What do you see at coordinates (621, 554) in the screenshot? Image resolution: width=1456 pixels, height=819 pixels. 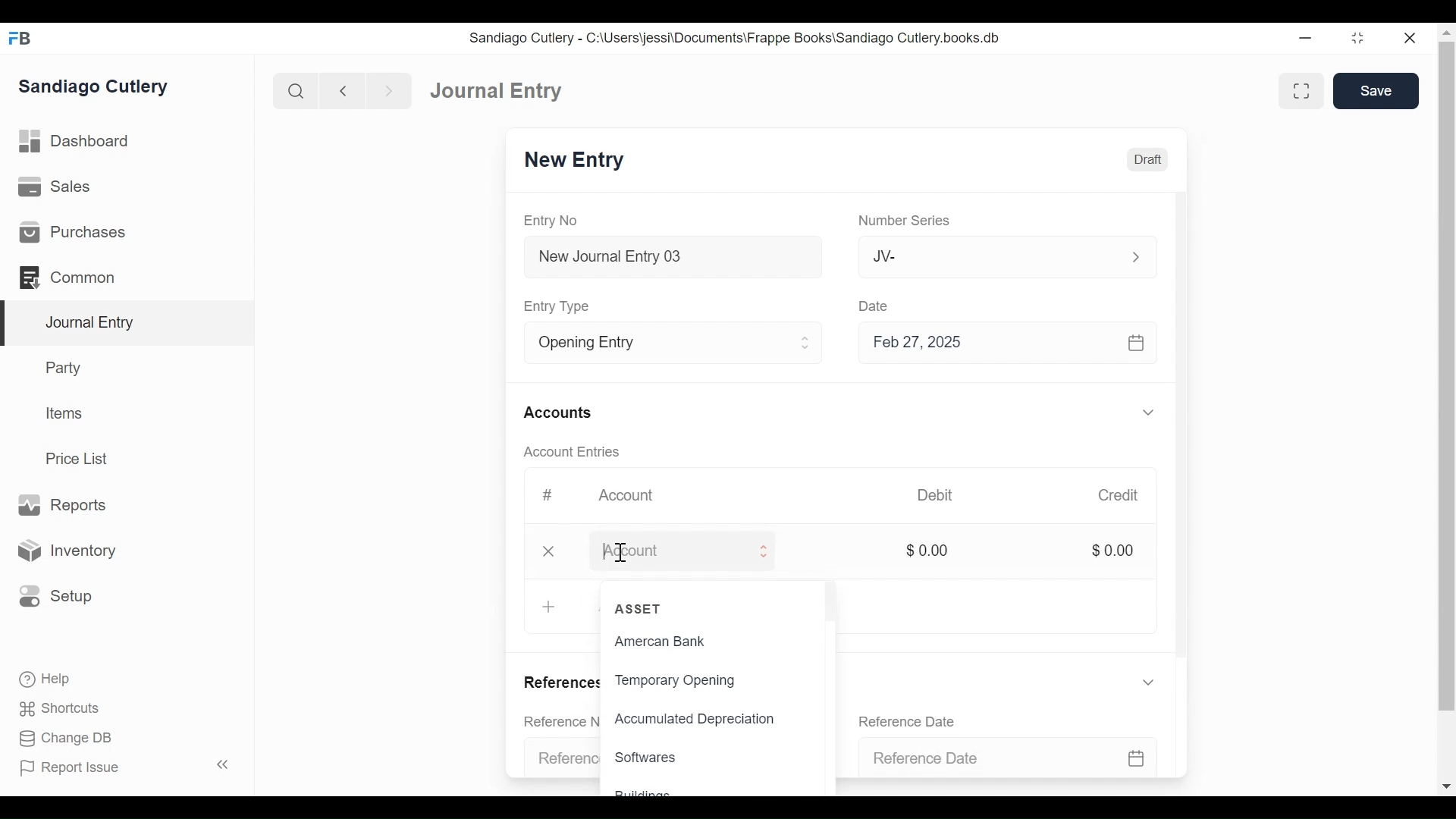 I see `Cursor` at bounding box center [621, 554].